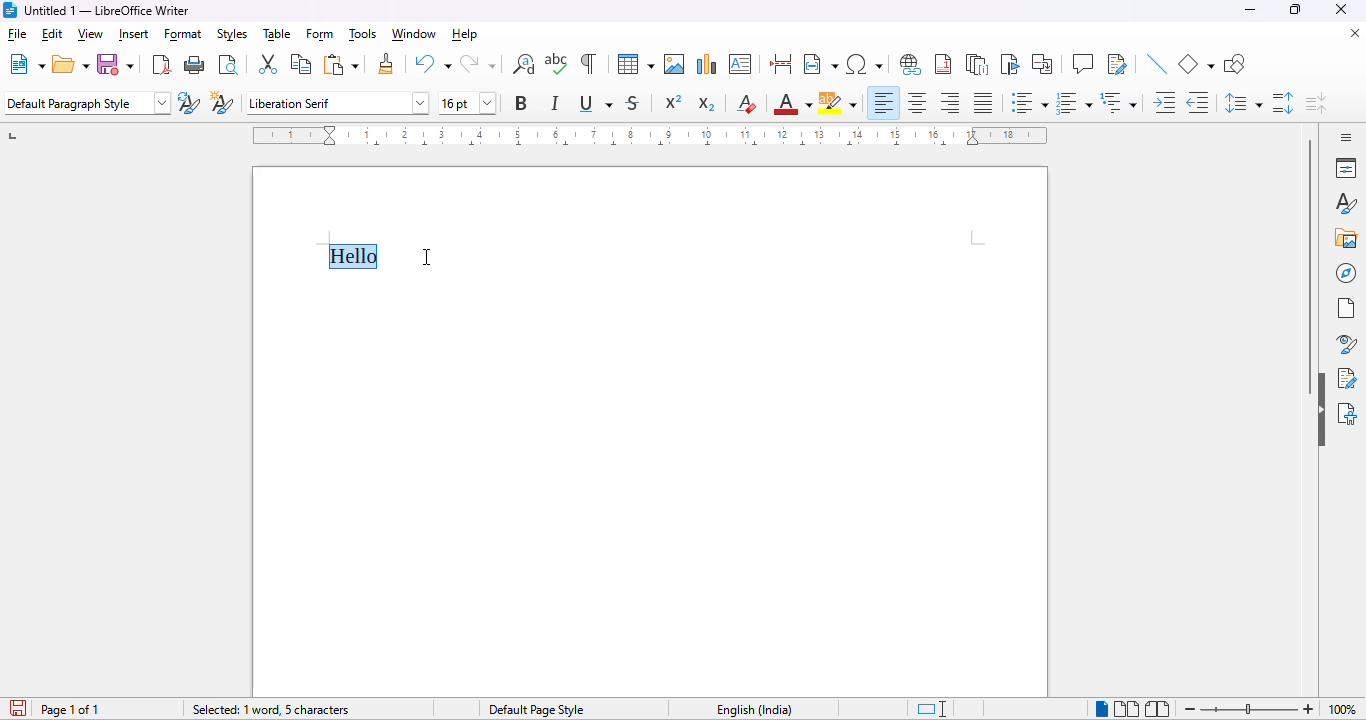 The image size is (1366, 720). What do you see at coordinates (943, 65) in the screenshot?
I see `insert footnote` at bounding box center [943, 65].